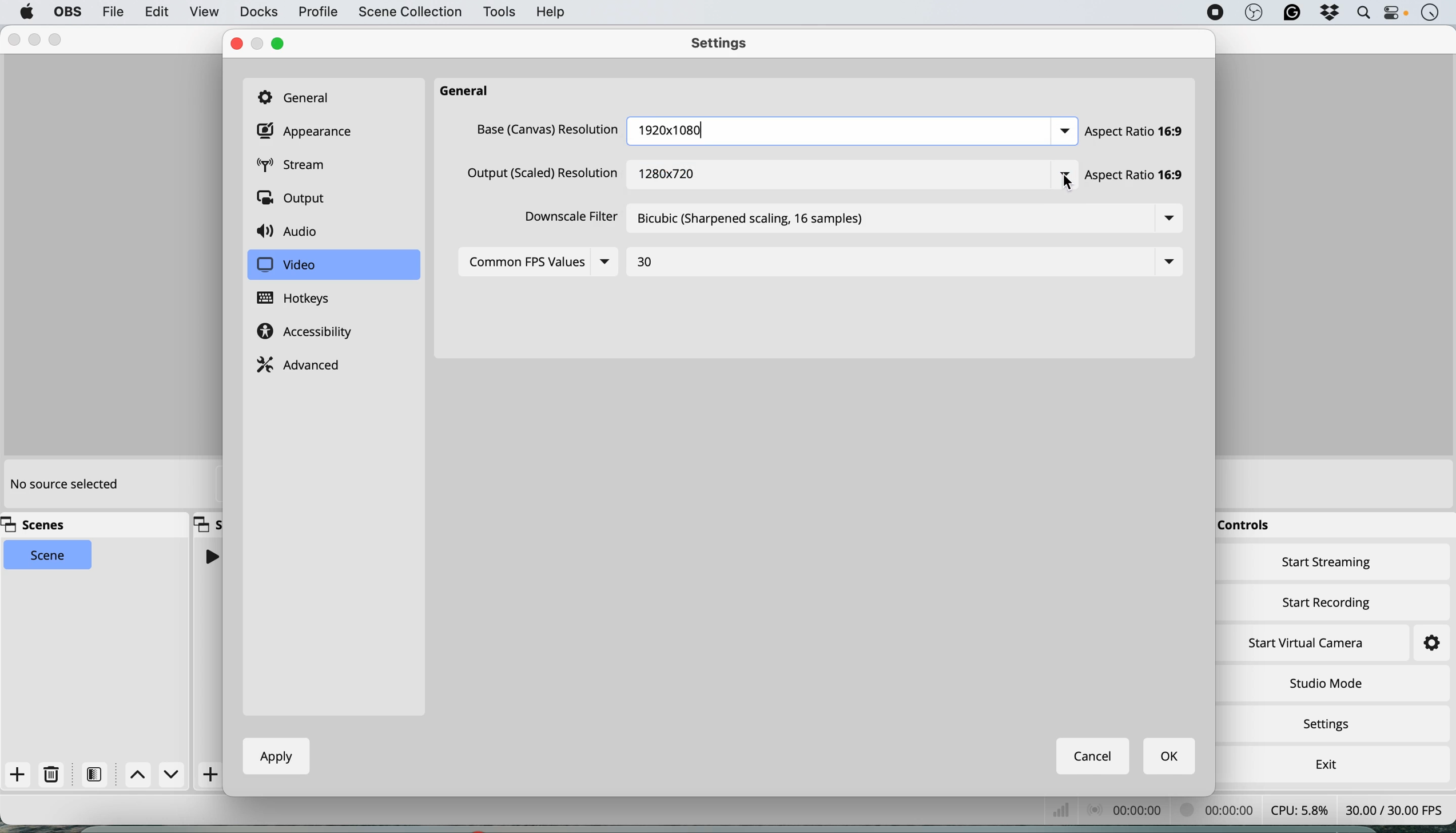  What do you see at coordinates (1430, 14) in the screenshot?
I see `time` at bounding box center [1430, 14].